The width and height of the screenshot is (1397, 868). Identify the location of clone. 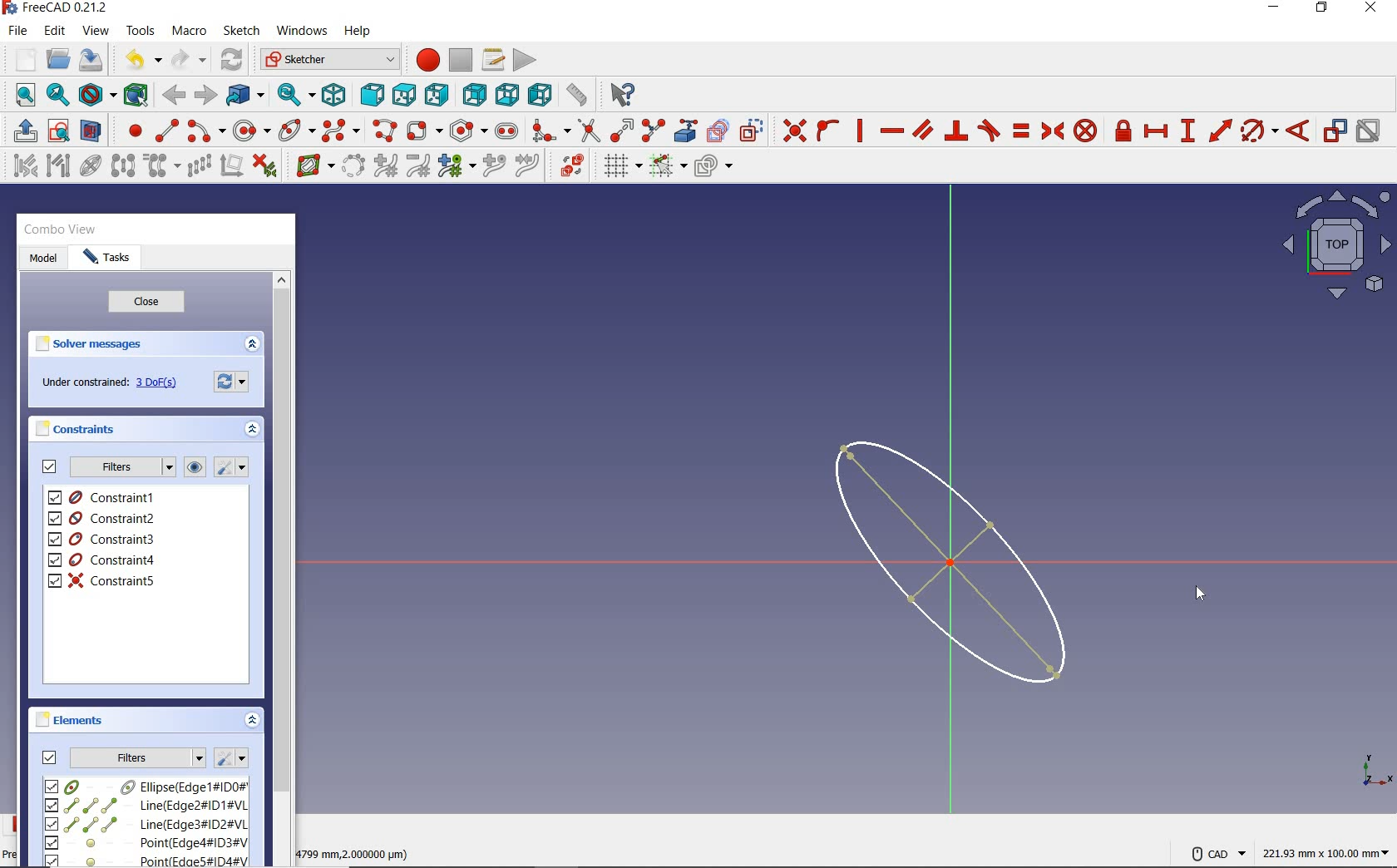
(160, 166).